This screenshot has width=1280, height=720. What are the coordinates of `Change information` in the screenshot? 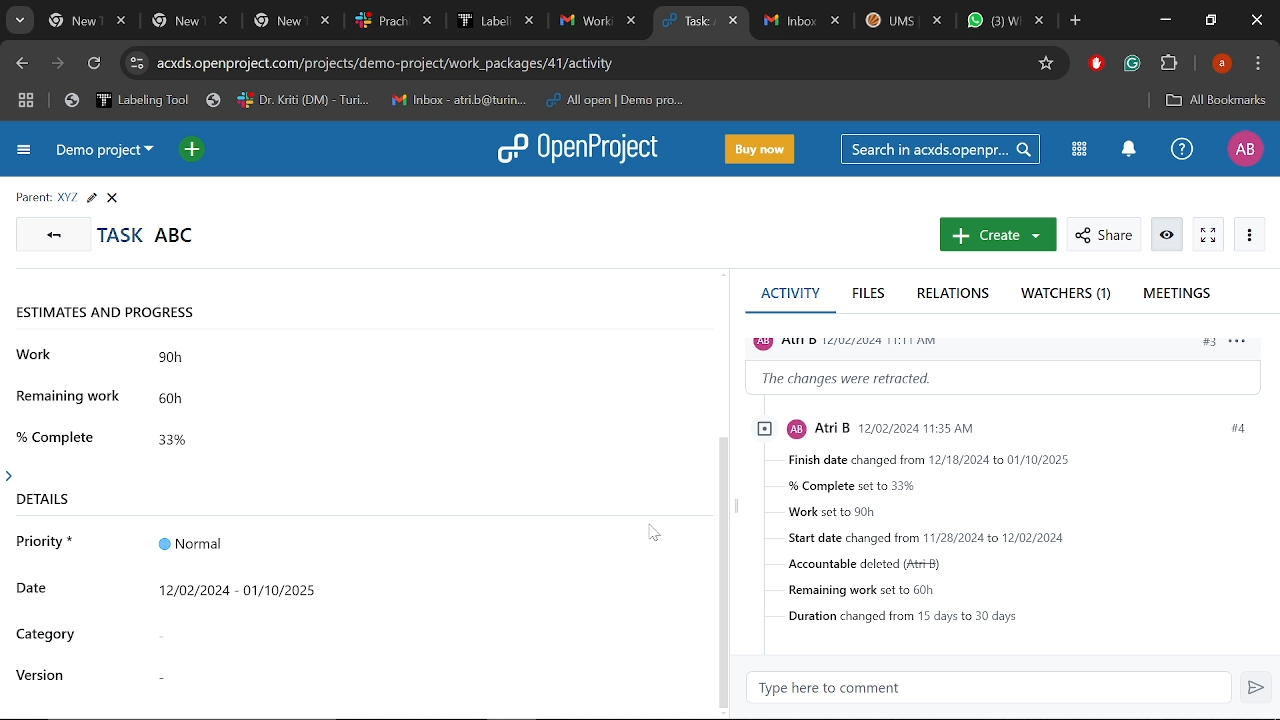 It's located at (1006, 377).